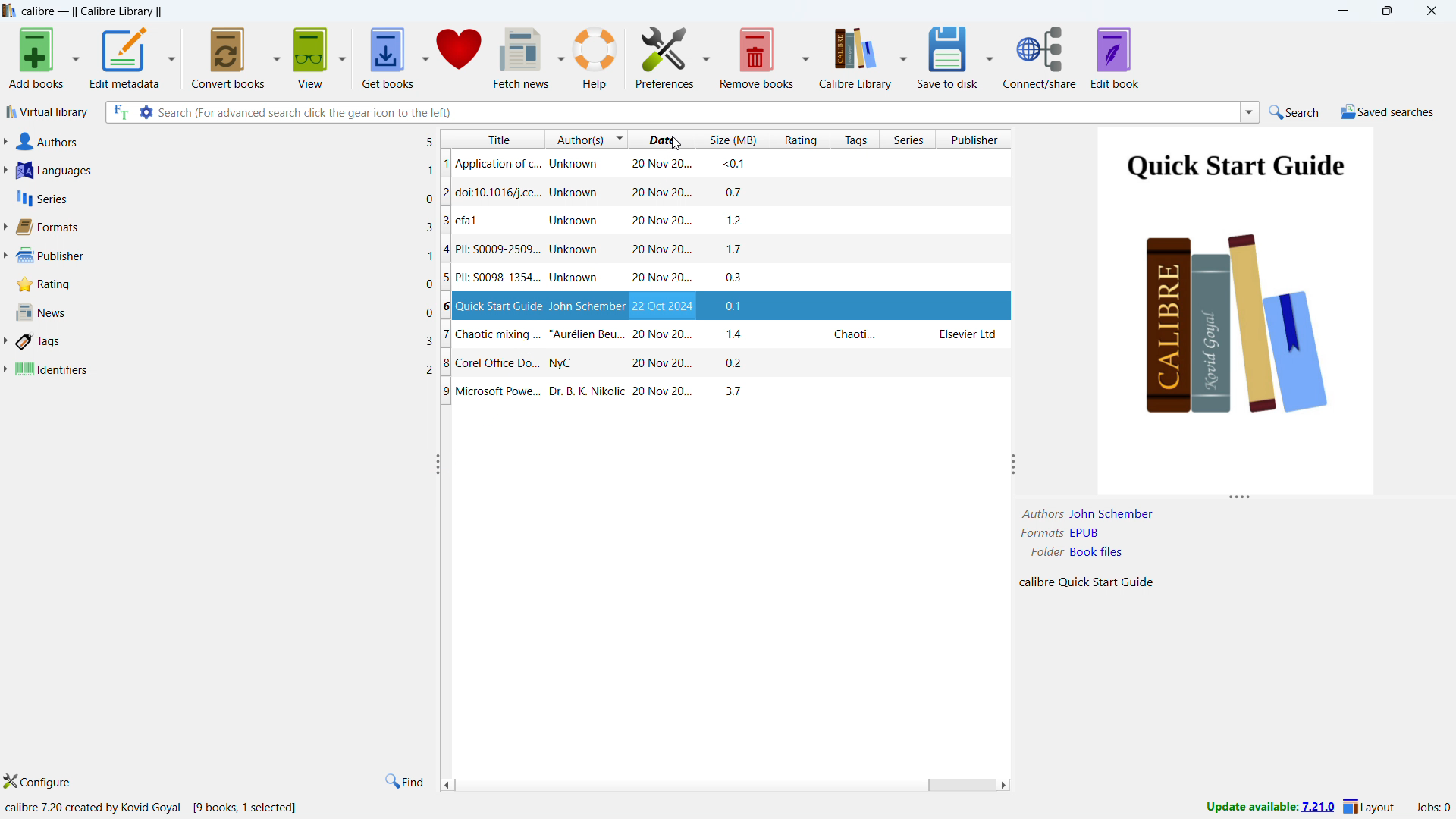 Image resolution: width=1456 pixels, height=819 pixels. Describe the element at coordinates (665, 55) in the screenshot. I see `preference` at that location.